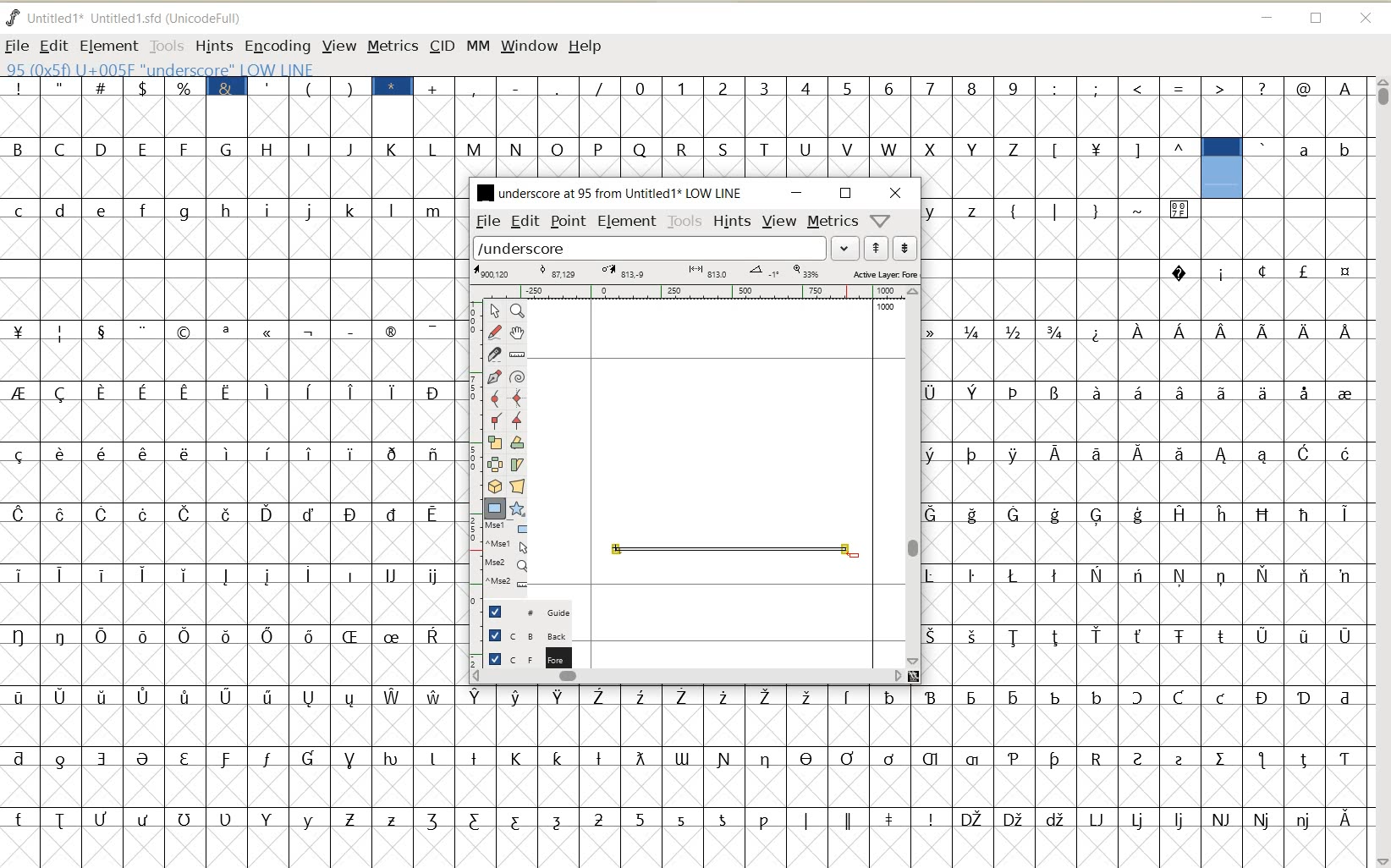 This screenshot has height=868, width=1391. What do you see at coordinates (731, 548) in the screenshot?
I see `an underscore with a unique twist creation` at bounding box center [731, 548].